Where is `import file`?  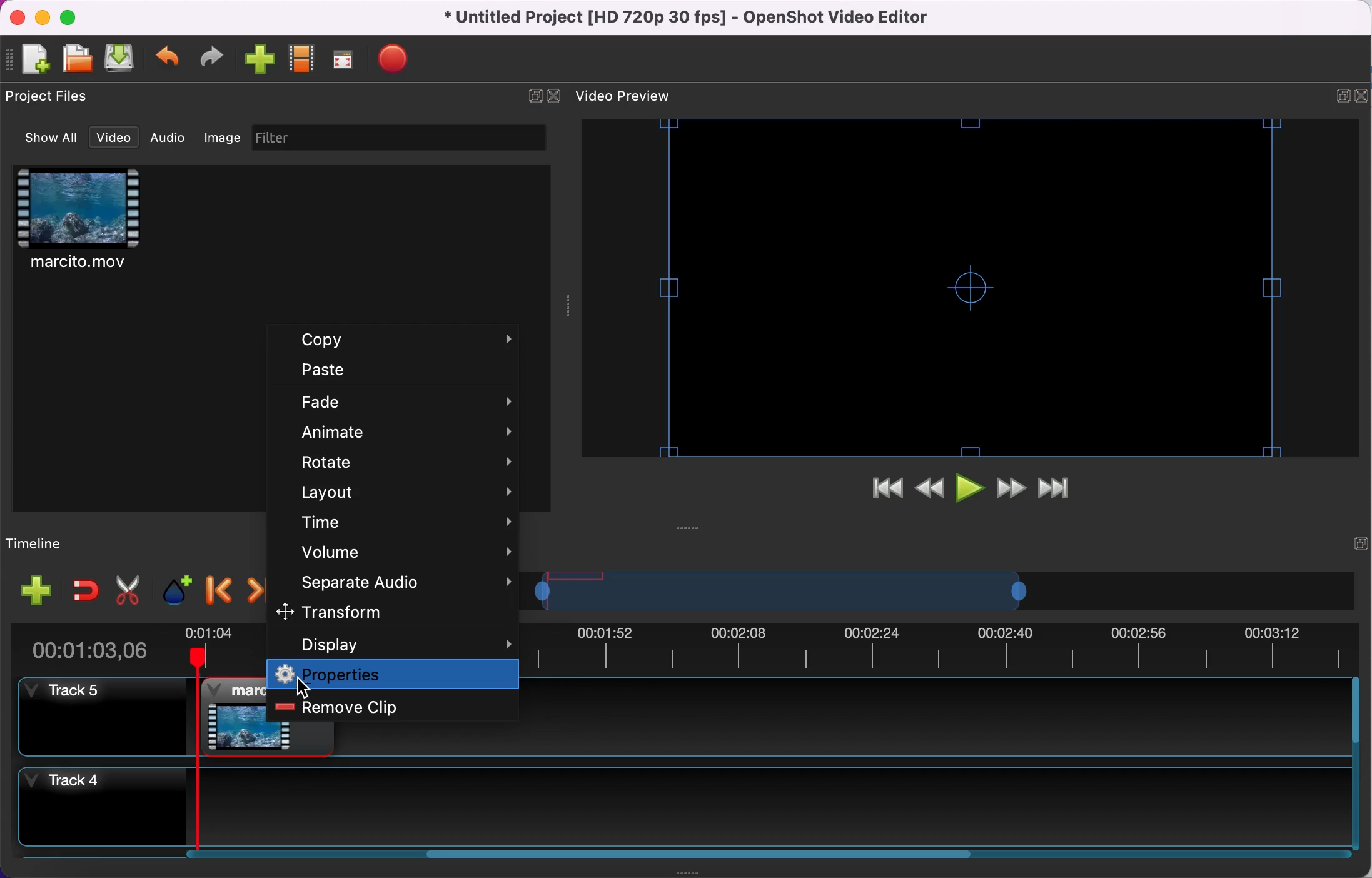
import file is located at coordinates (261, 60).